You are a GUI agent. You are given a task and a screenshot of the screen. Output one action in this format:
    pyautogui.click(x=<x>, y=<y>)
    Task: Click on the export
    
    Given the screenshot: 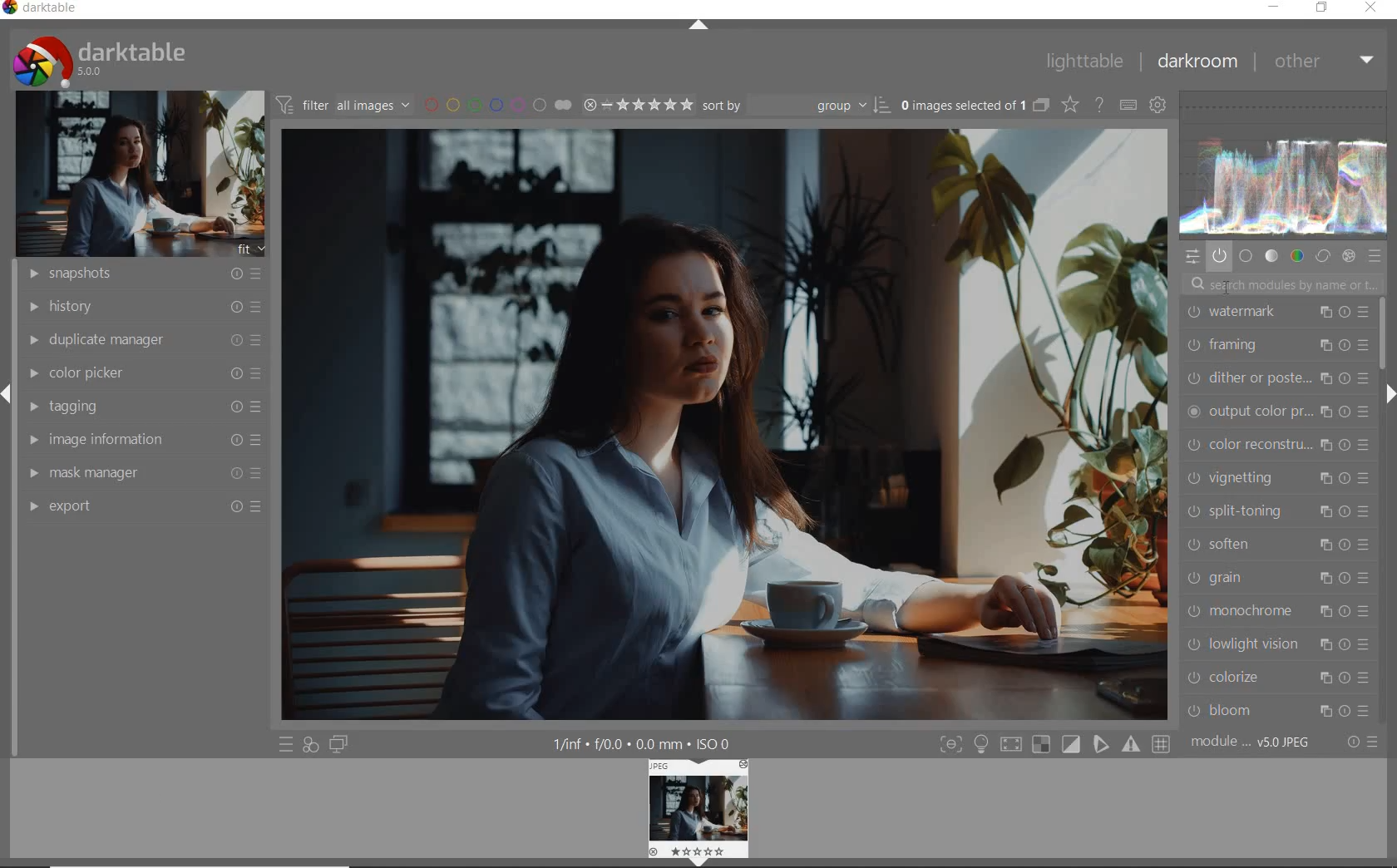 What is the action you would take?
    pyautogui.click(x=142, y=506)
    